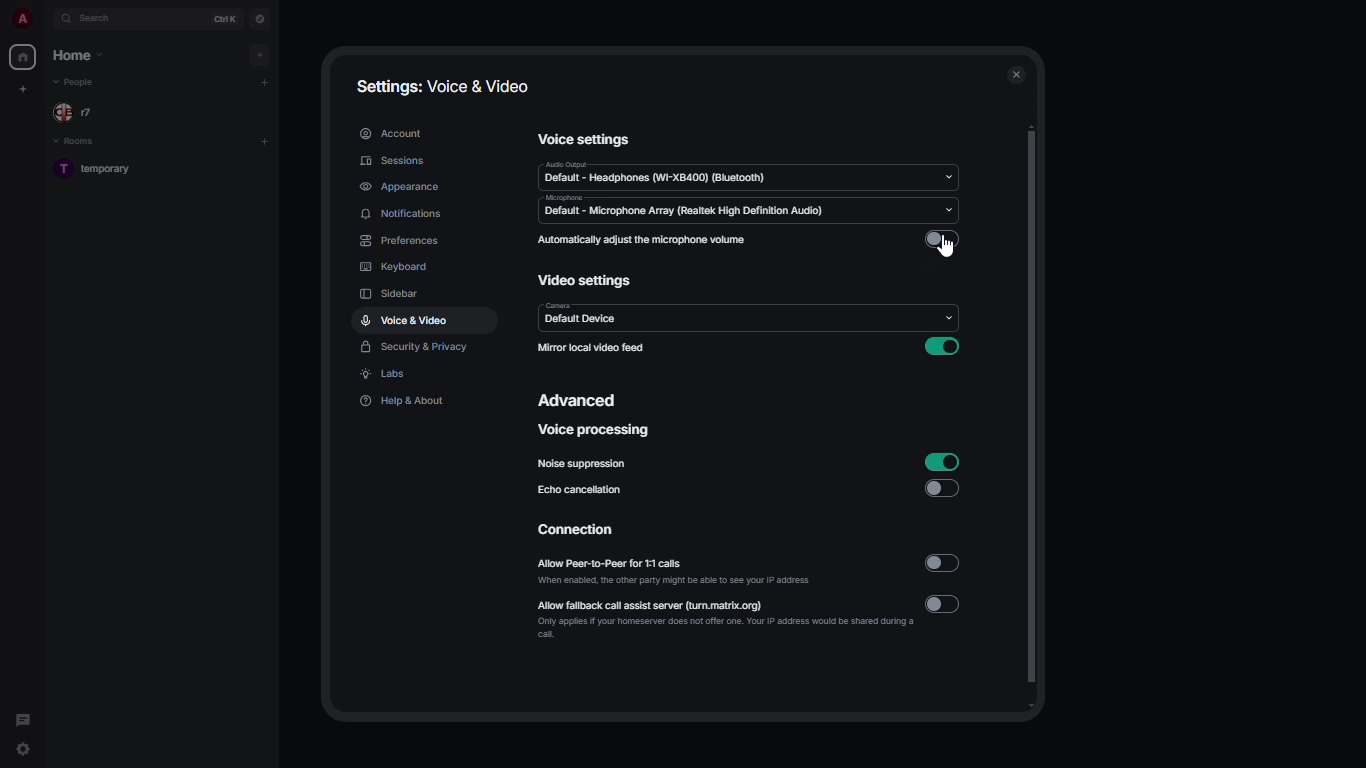  Describe the element at coordinates (950, 176) in the screenshot. I see `drop down` at that location.